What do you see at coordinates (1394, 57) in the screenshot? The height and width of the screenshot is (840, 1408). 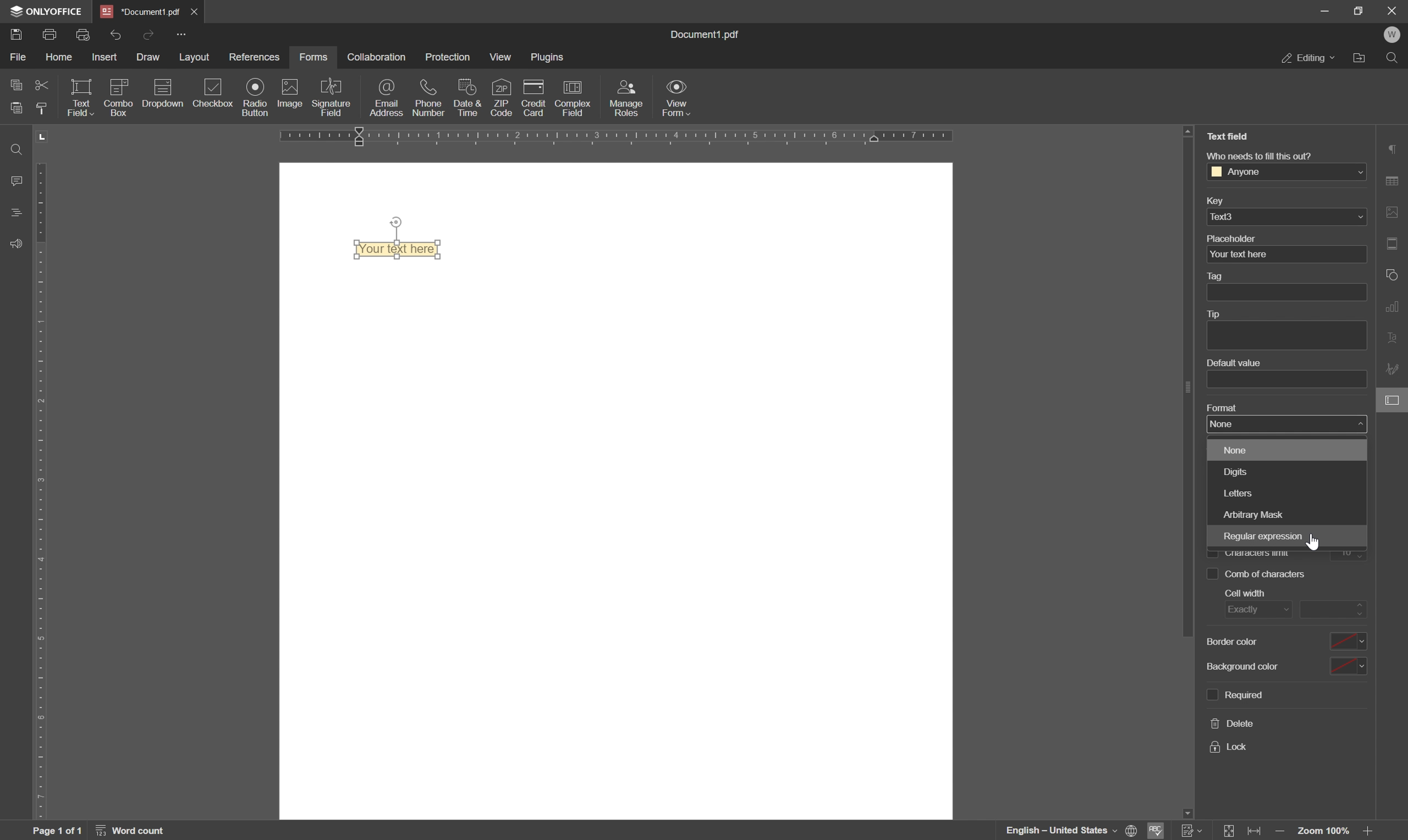 I see `find` at bounding box center [1394, 57].